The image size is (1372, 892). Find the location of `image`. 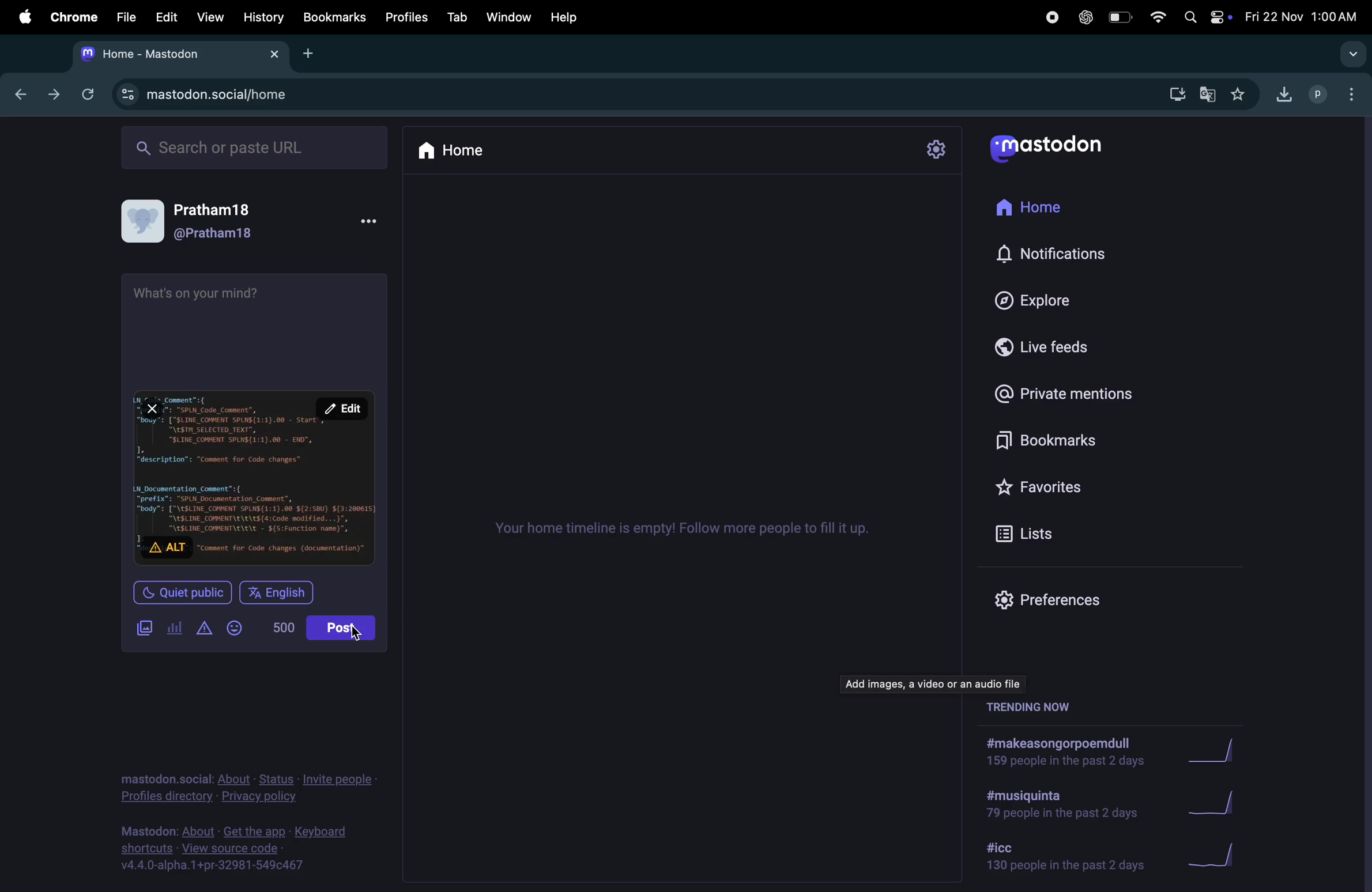

image is located at coordinates (252, 478).